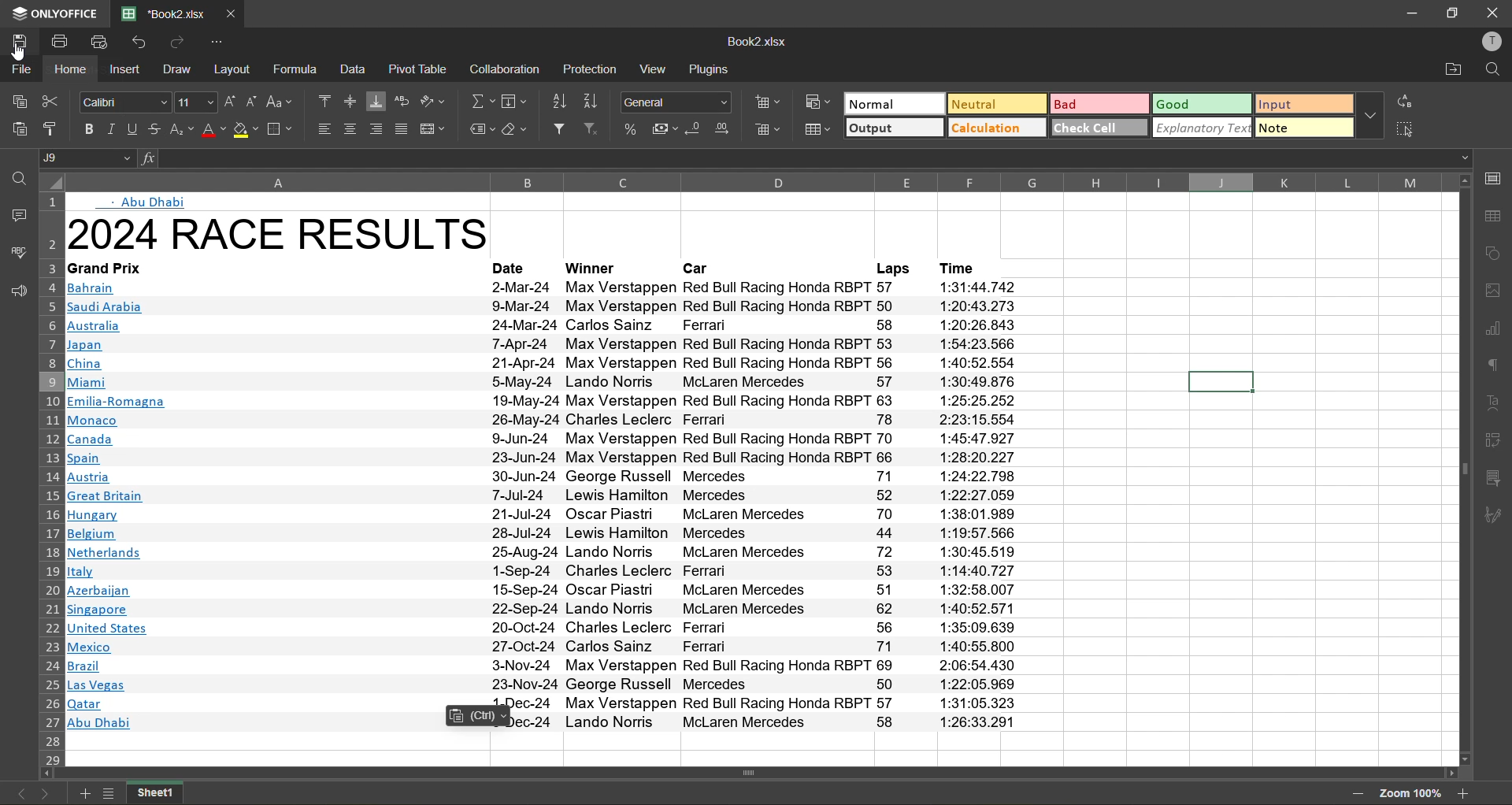 This screenshot has height=805, width=1512. Describe the element at coordinates (543, 553) in the screenshot. I see `text info` at that location.